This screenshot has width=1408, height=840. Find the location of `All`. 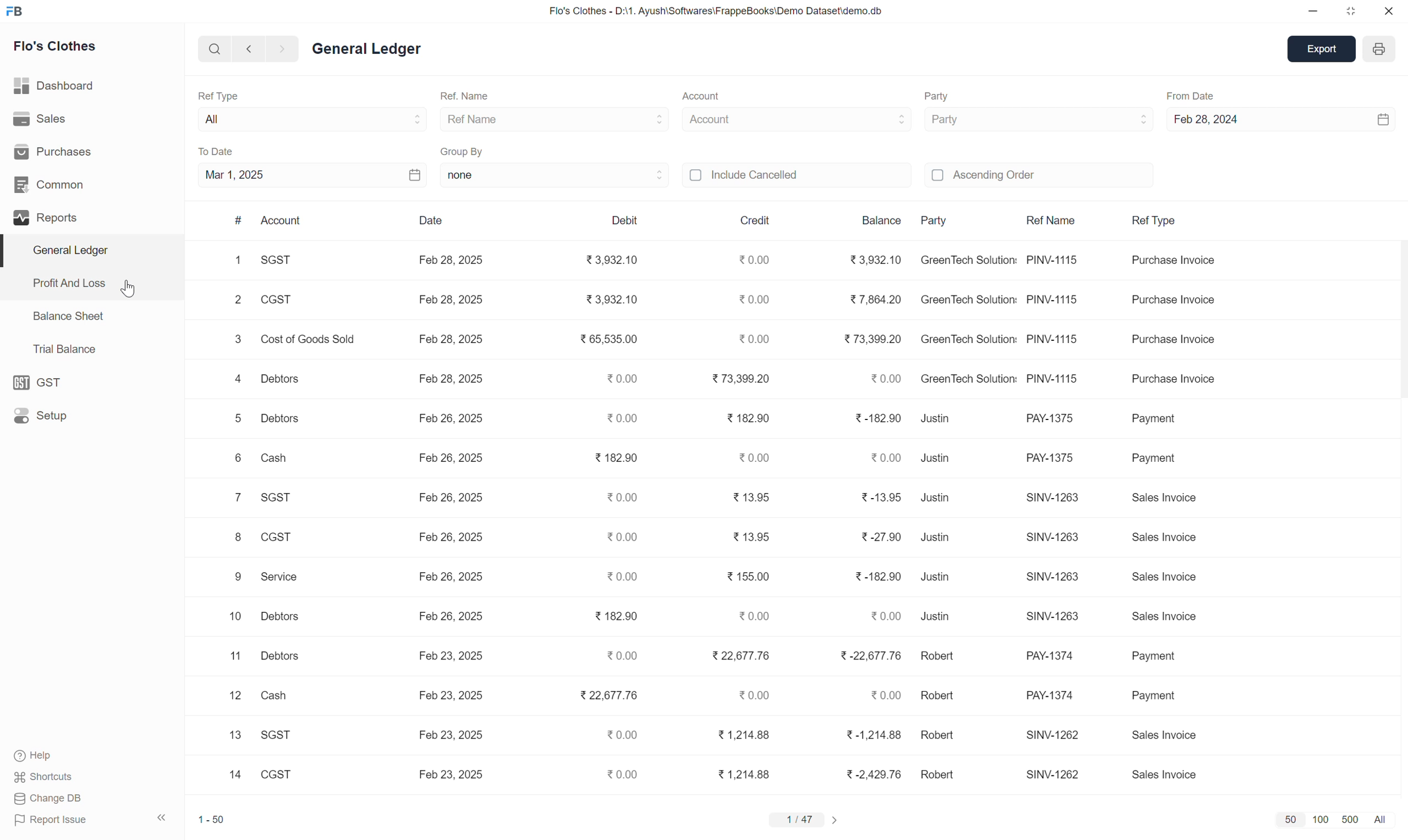

All is located at coordinates (247, 118).